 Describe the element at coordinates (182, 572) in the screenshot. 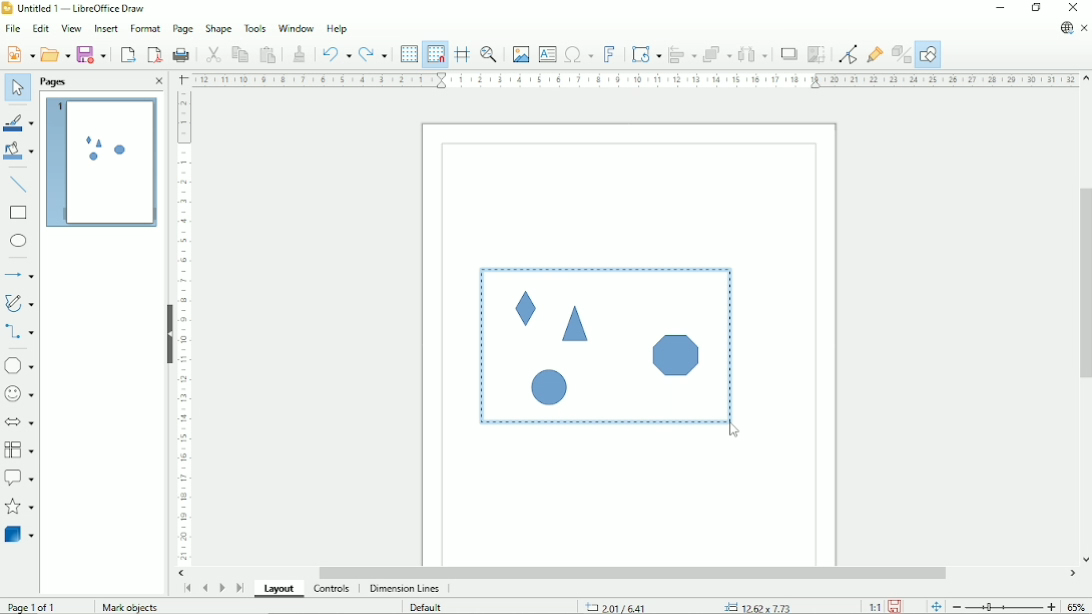

I see `Horizontal scroll button` at that location.